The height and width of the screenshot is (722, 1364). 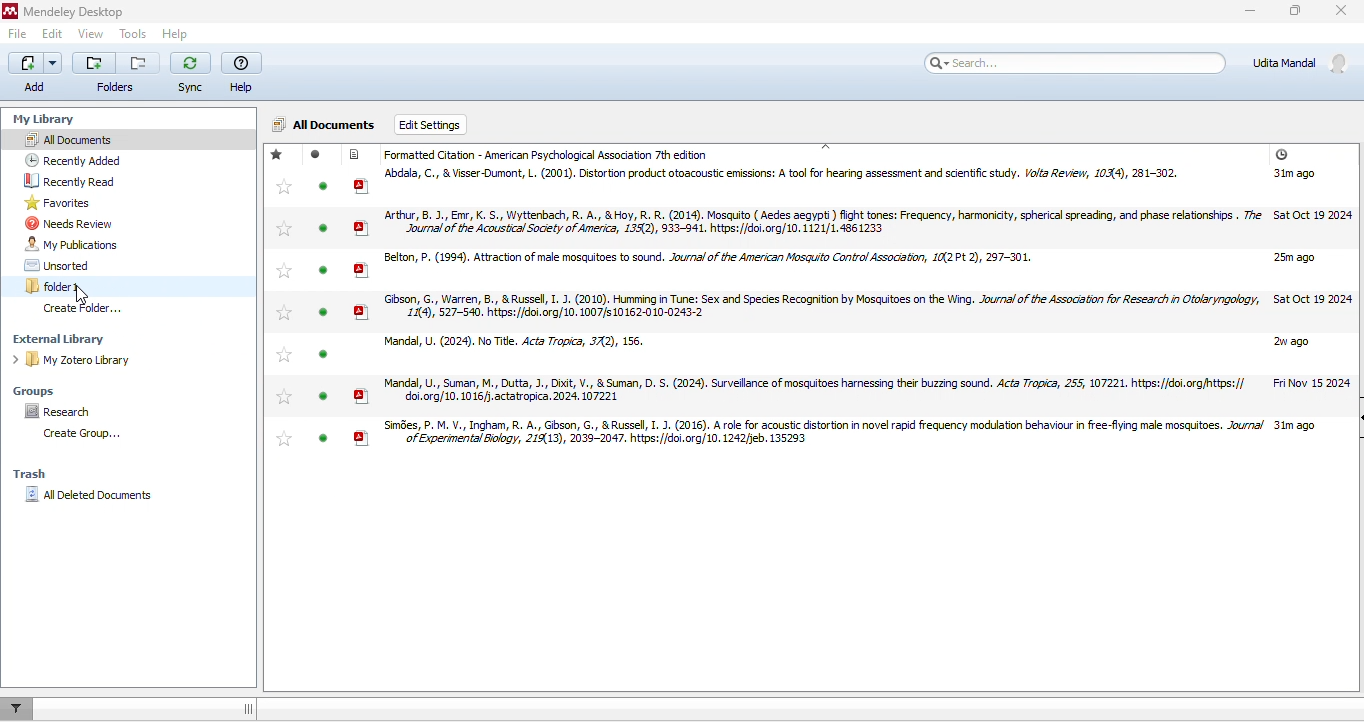 What do you see at coordinates (849, 436) in the screenshot?
I see `research articles` at bounding box center [849, 436].